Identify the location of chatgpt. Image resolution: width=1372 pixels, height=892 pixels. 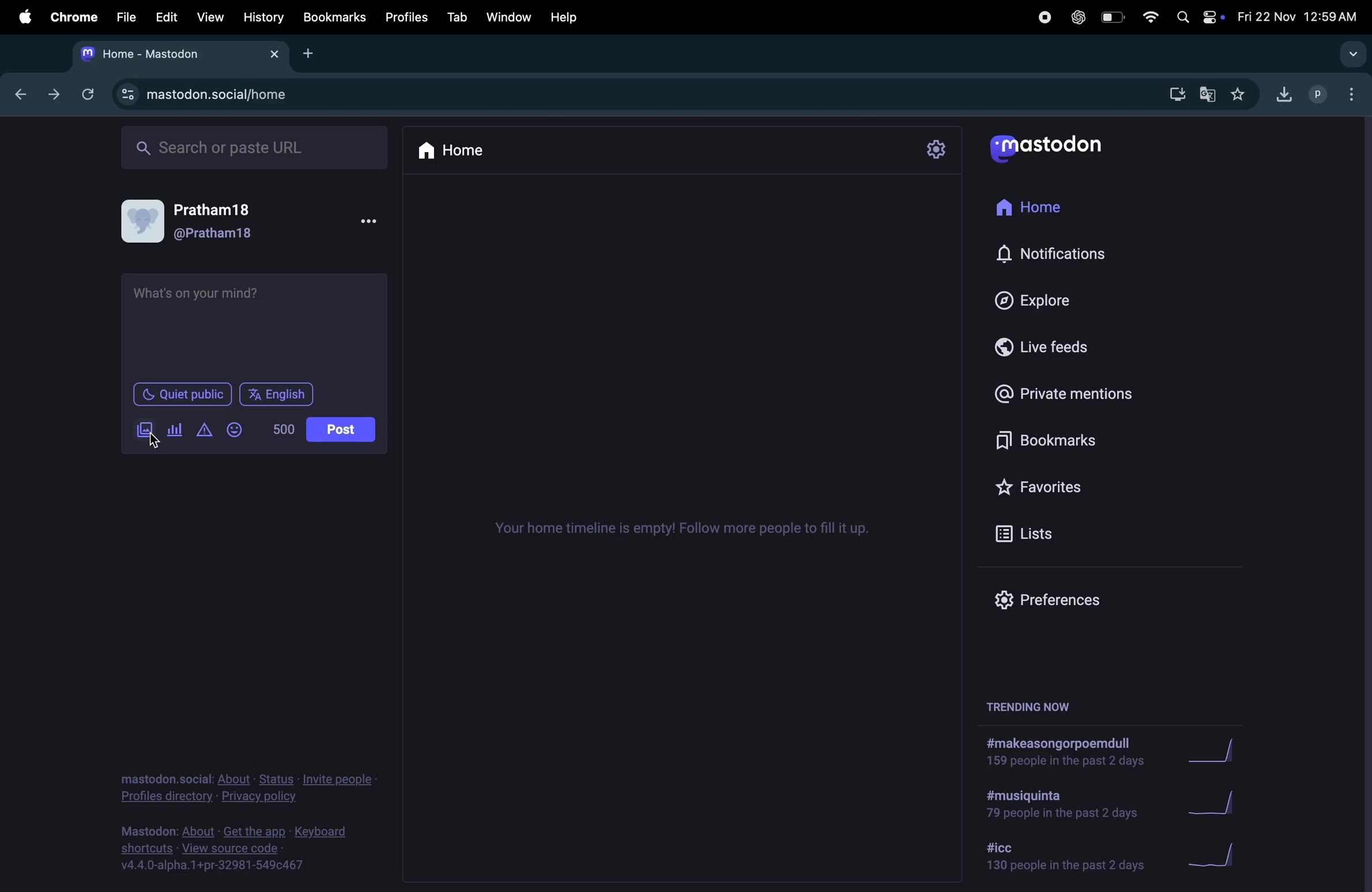
(1072, 17).